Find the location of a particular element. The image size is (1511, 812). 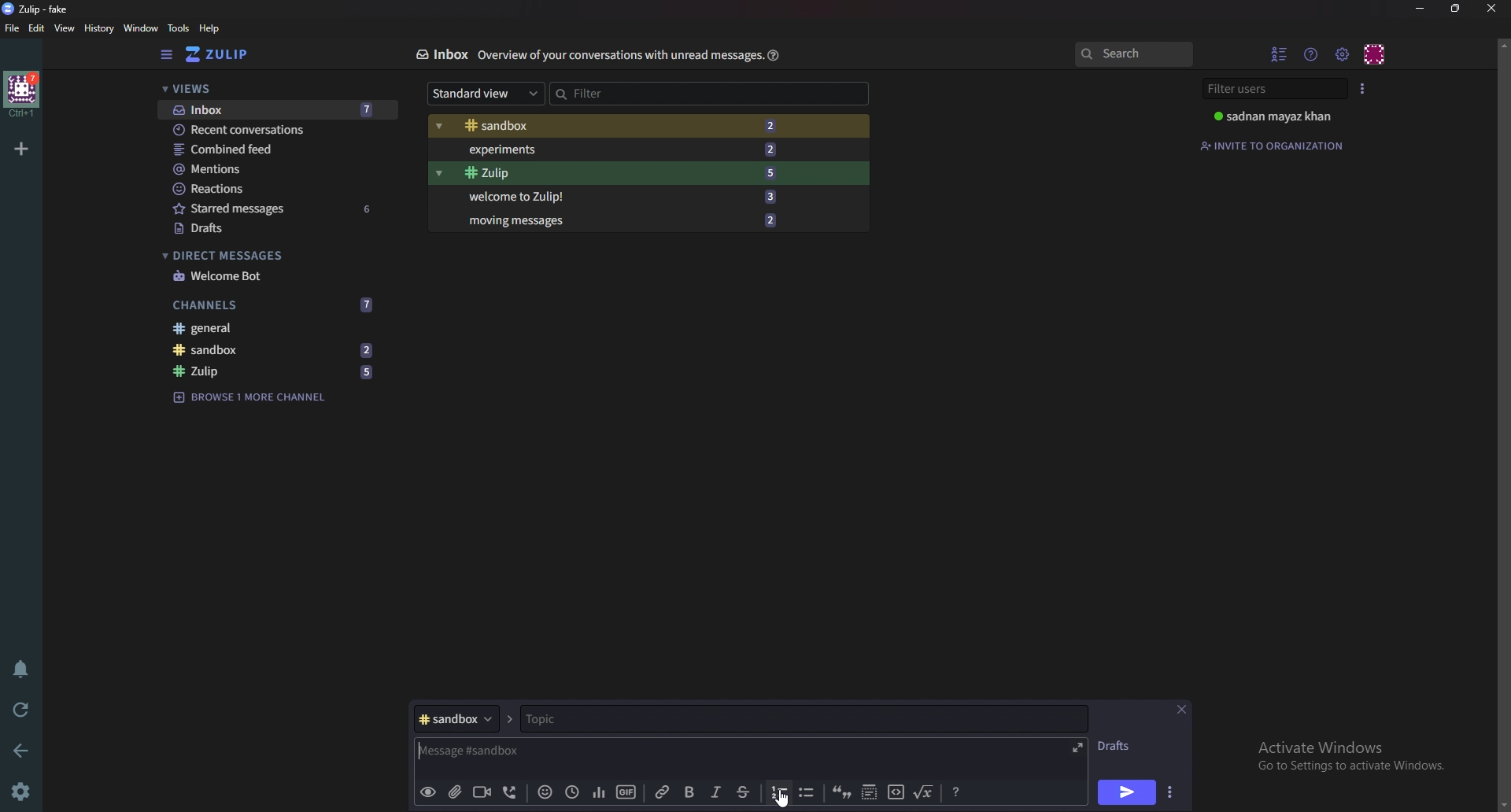

code is located at coordinates (895, 794).